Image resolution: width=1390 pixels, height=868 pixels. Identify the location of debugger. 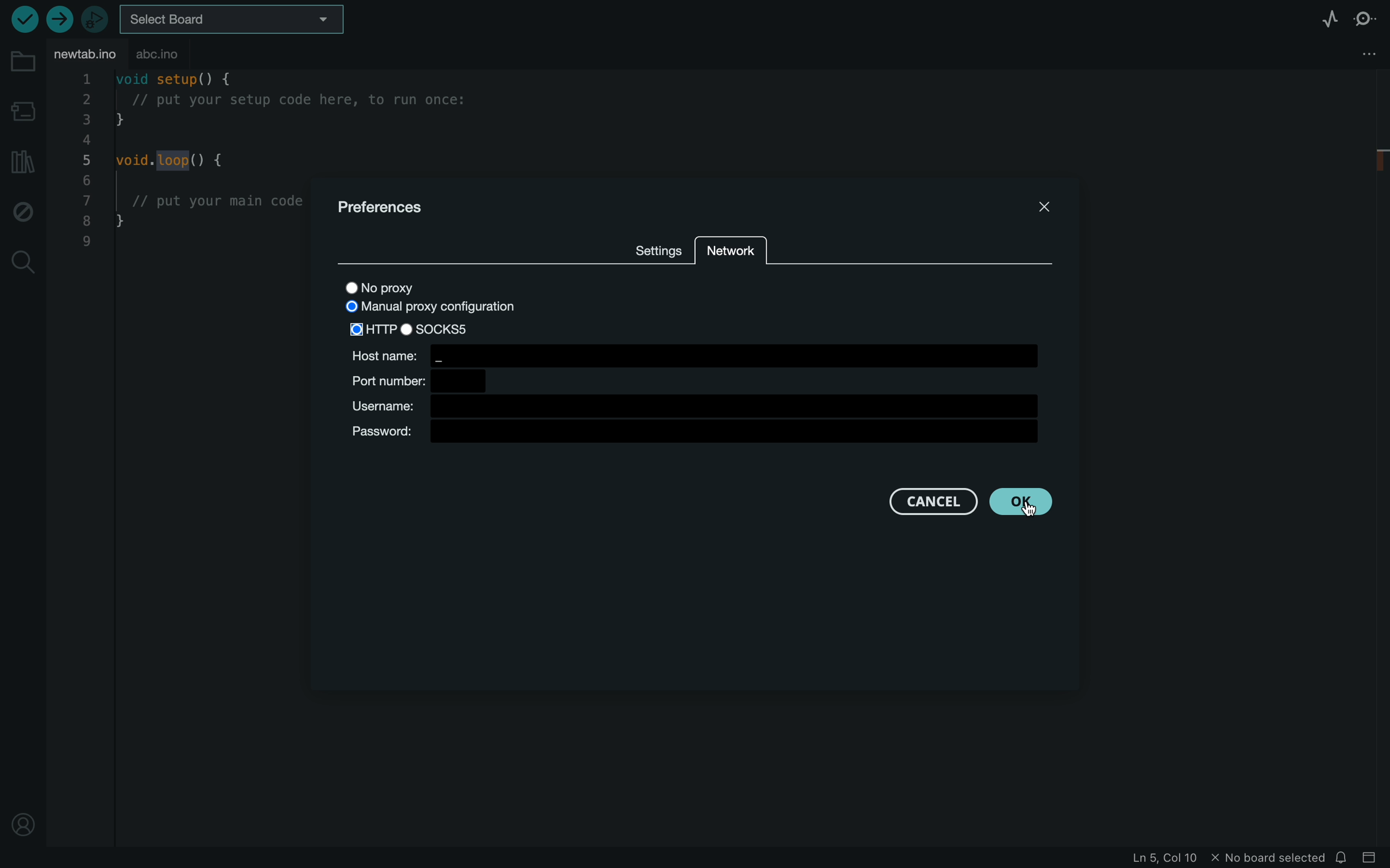
(95, 18).